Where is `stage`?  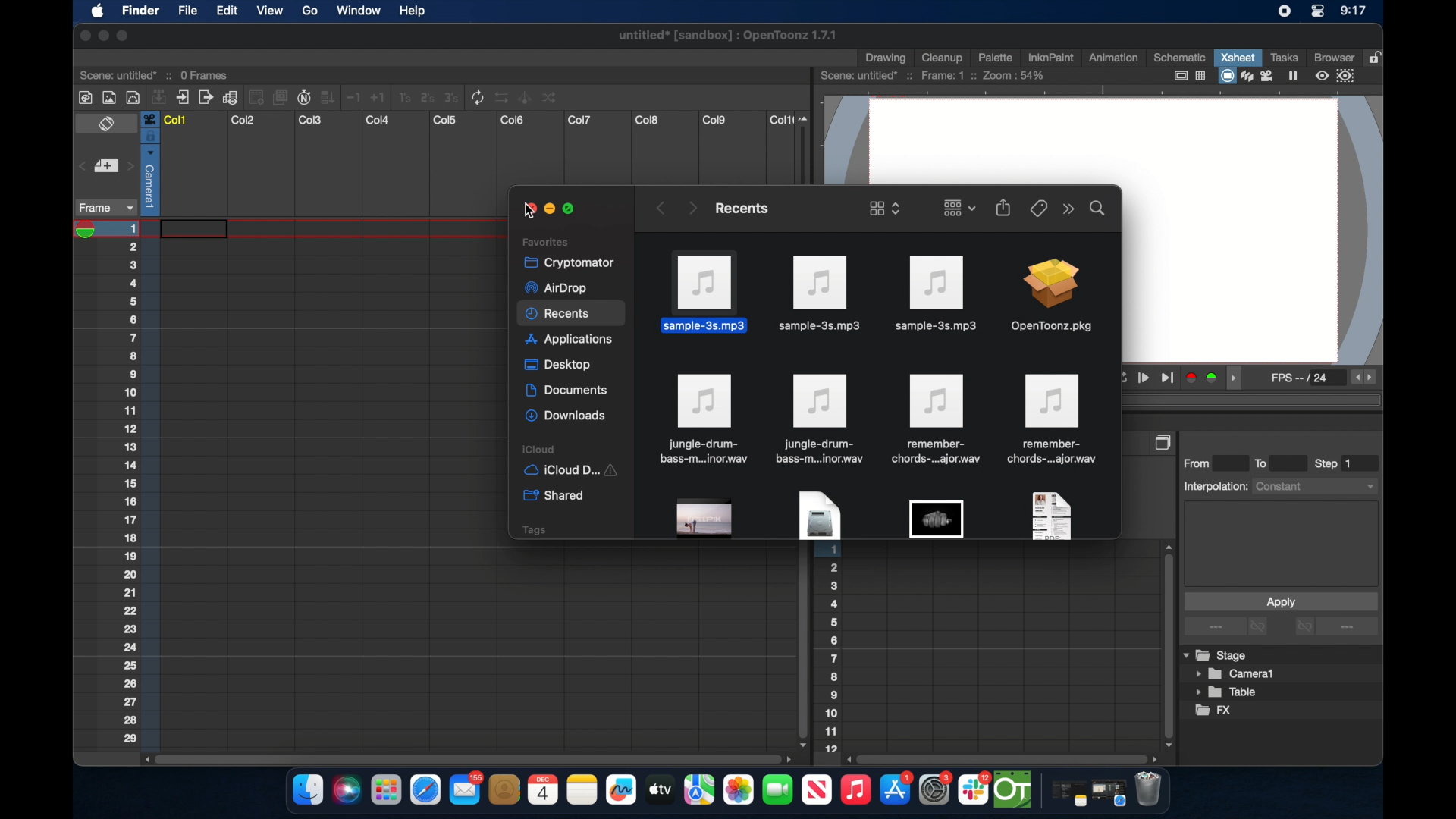 stage is located at coordinates (1216, 656).